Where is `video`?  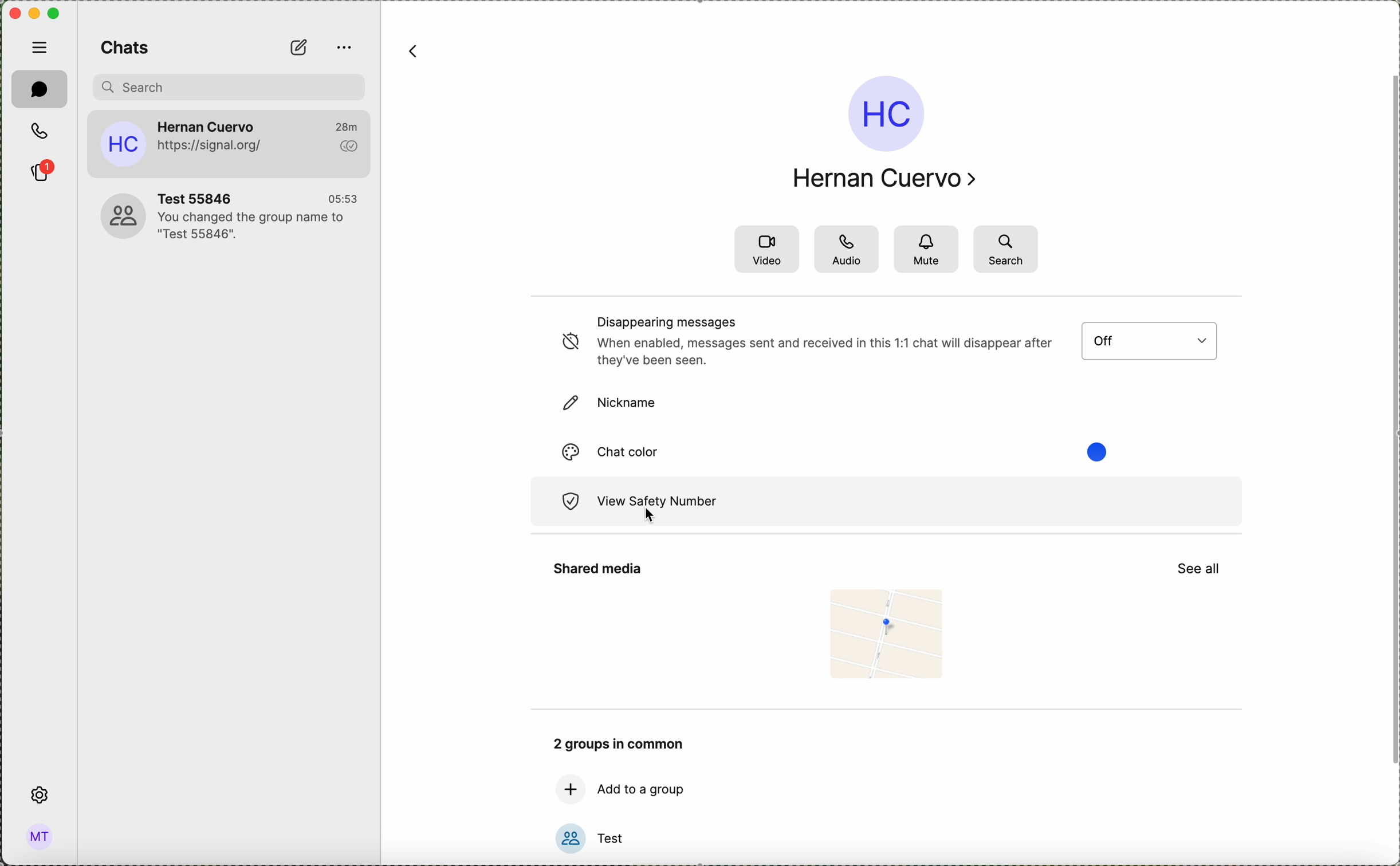
video is located at coordinates (766, 249).